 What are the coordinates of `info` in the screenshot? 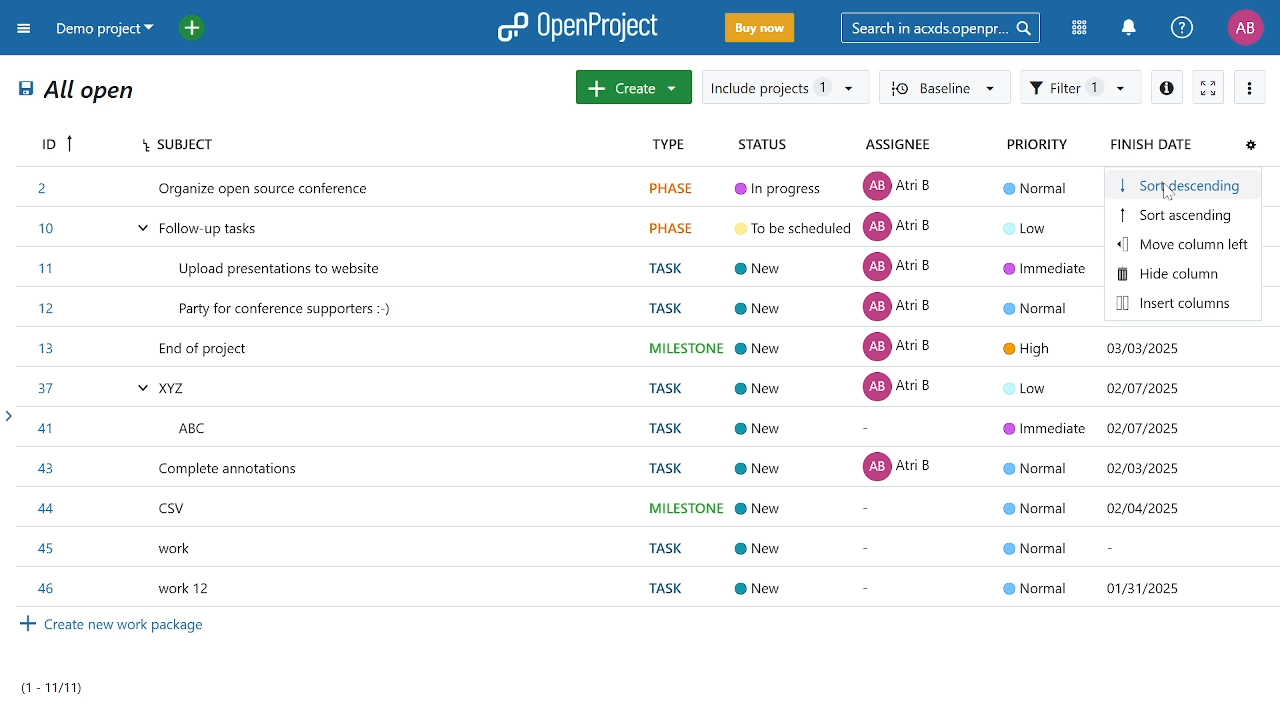 It's located at (1170, 87).